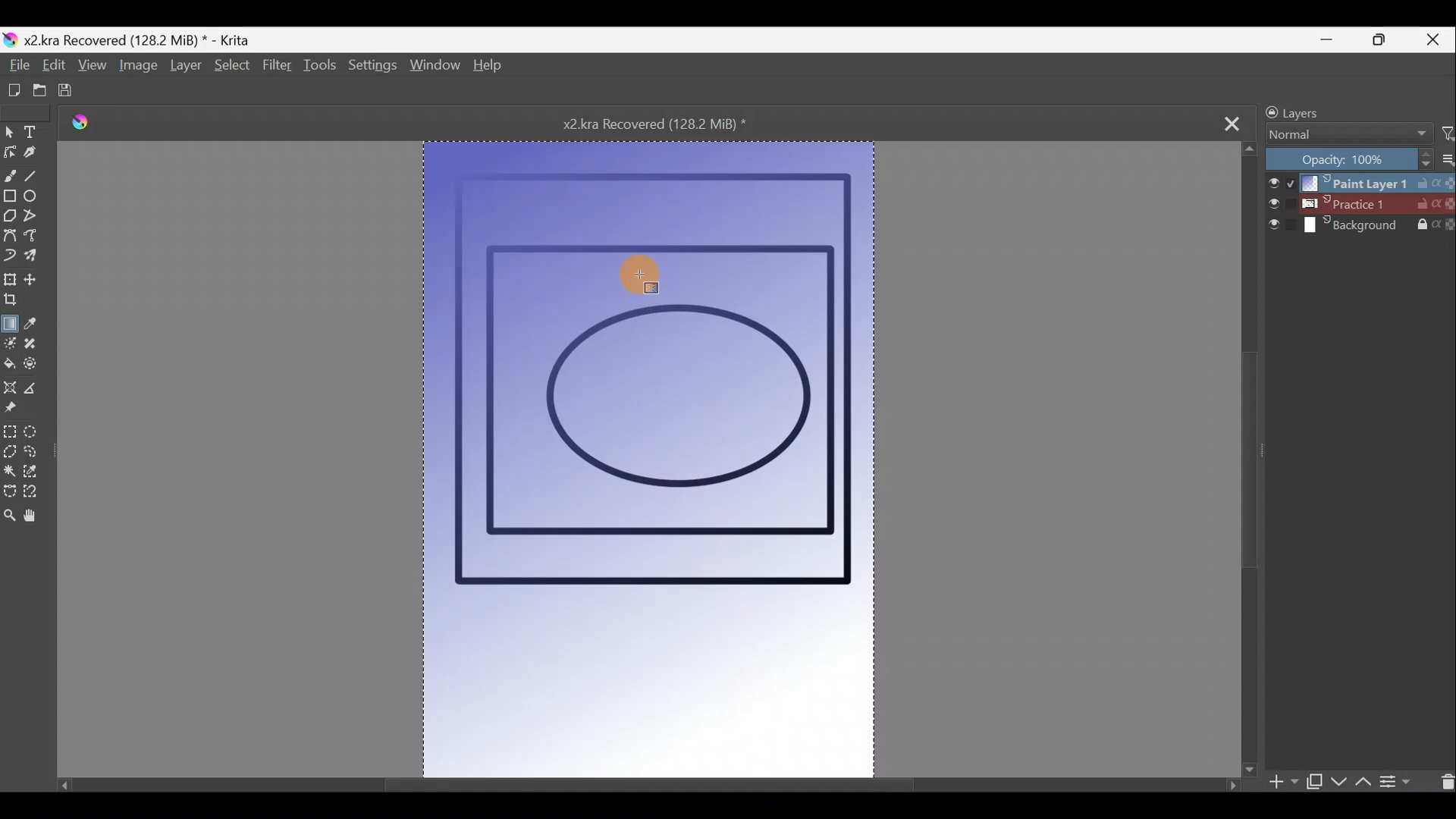 The image size is (1456, 819). I want to click on Move a layer, so click(38, 279).